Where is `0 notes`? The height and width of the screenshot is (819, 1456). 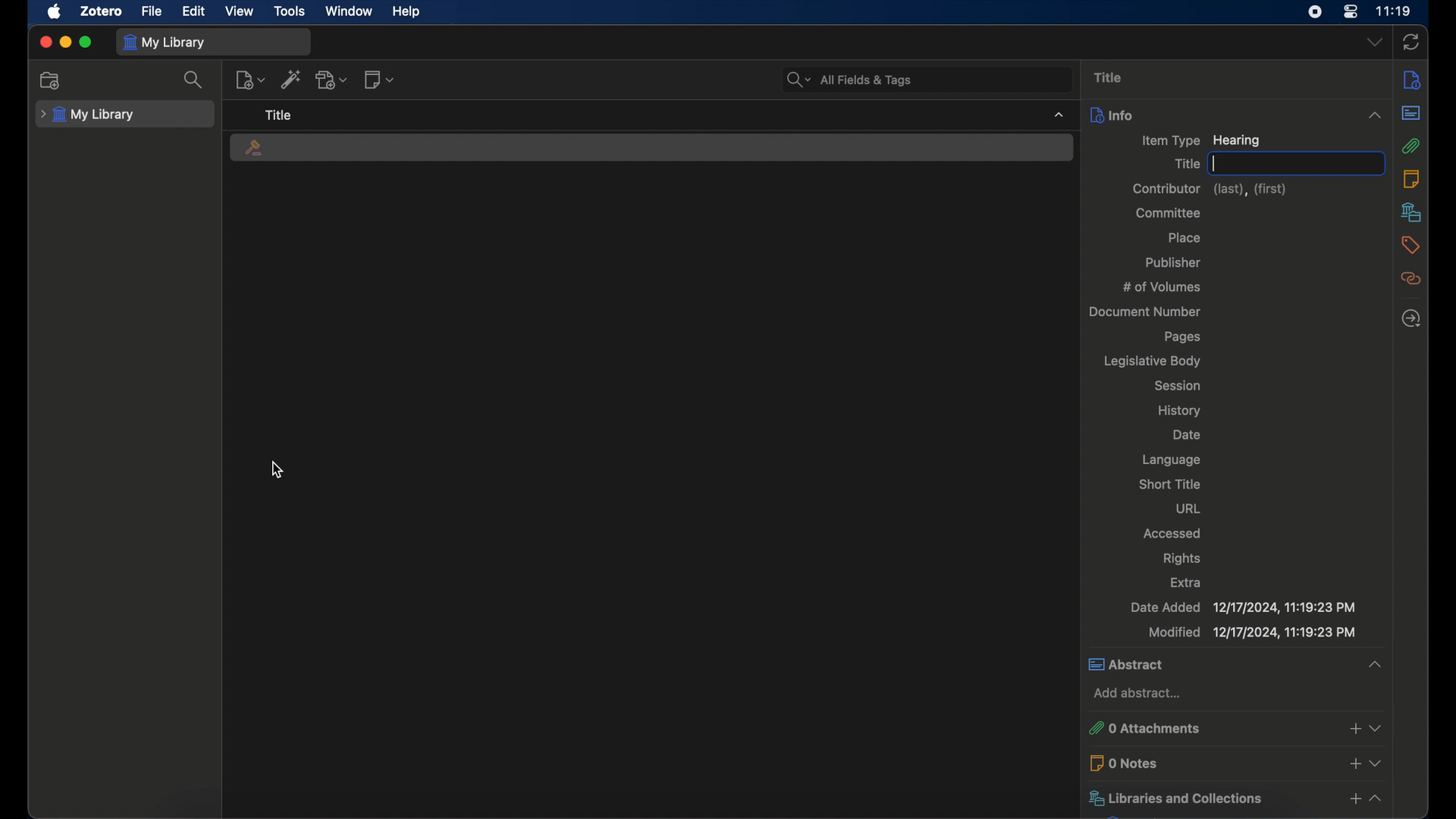
0 notes is located at coordinates (1237, 762).